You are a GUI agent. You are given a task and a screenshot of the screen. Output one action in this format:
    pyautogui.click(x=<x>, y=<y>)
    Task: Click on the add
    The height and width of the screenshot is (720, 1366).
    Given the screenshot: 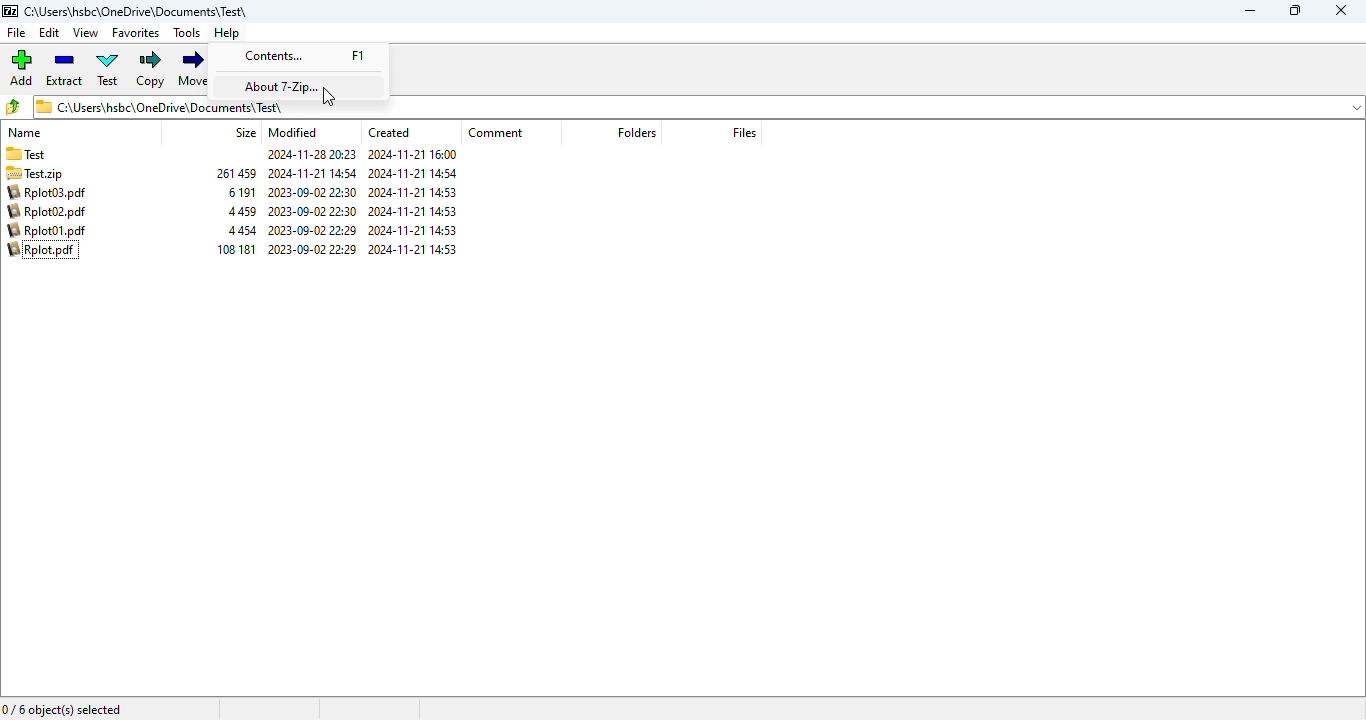 What is the action you would take?
    pyautogui.click(x=22, y=67)
    